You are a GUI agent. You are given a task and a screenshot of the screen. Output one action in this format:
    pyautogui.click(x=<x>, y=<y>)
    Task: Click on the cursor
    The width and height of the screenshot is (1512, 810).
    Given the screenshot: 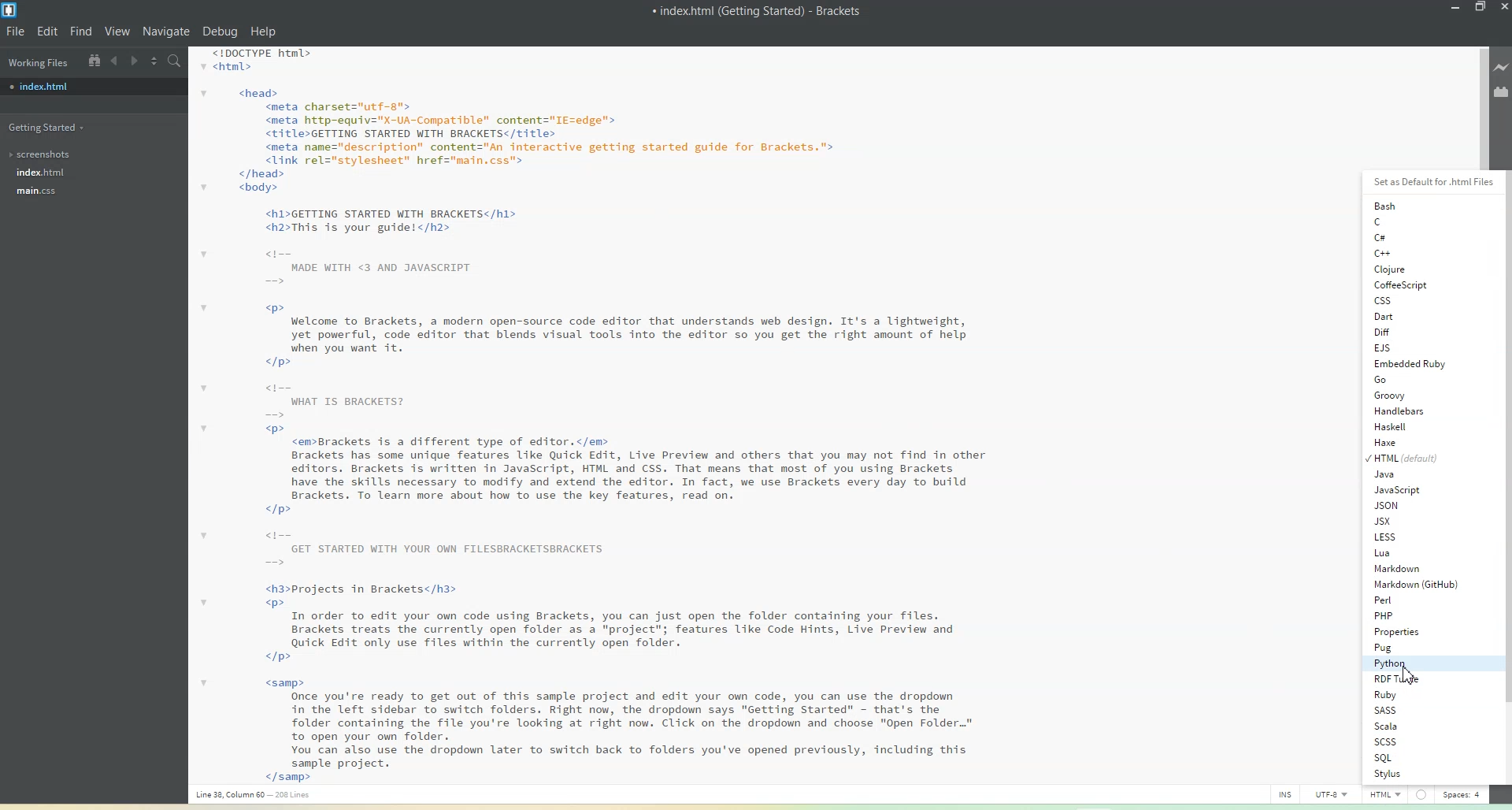 What is the action you would take?
    pyautogui.click(x=1403, y=674)
    